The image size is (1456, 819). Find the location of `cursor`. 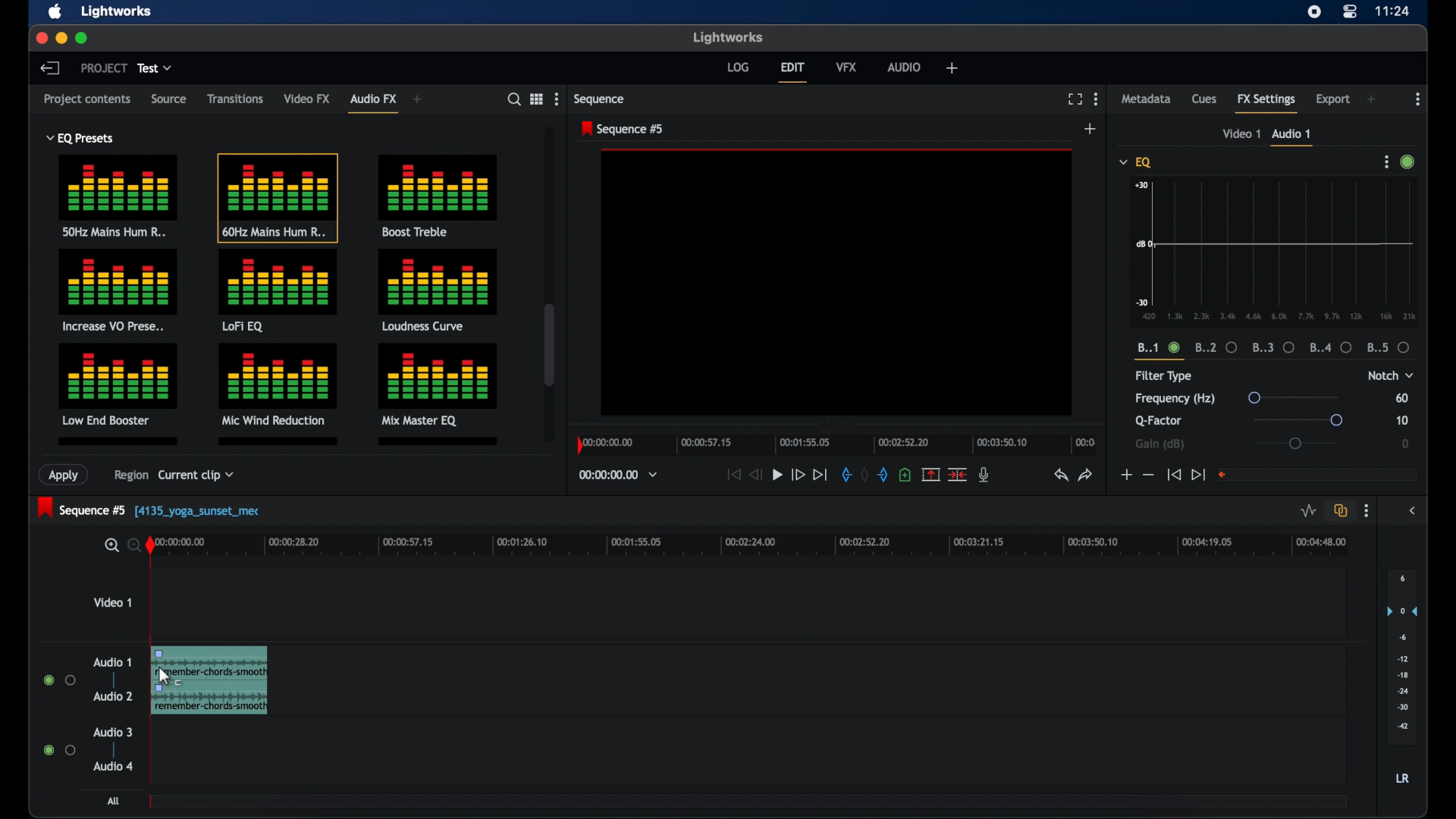

cursor is located at coordinates (159, 679).